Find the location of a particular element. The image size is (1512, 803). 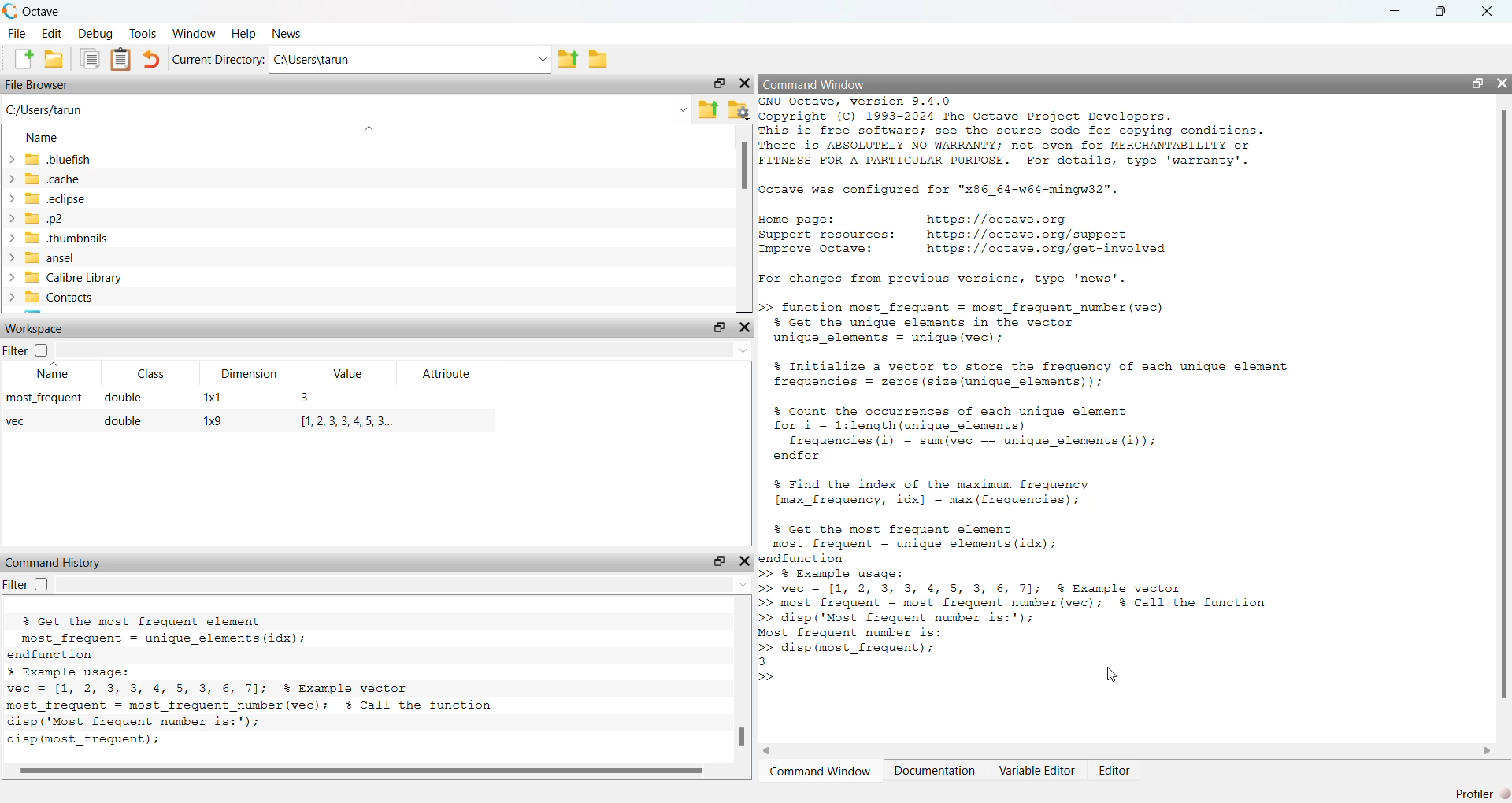

Dimension is located at coordinates (248, 374).